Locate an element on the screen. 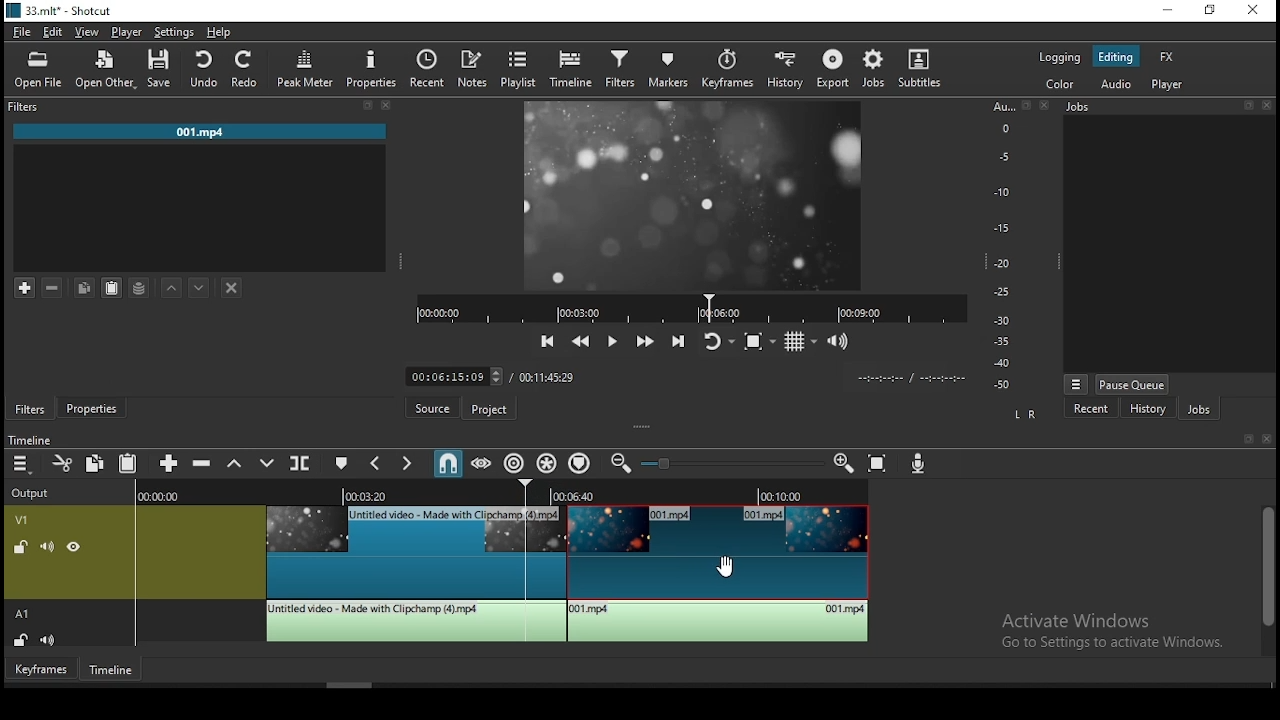 This screenshot has height=720, width=1280. play quickly forward is located at coordinates (646, 341).